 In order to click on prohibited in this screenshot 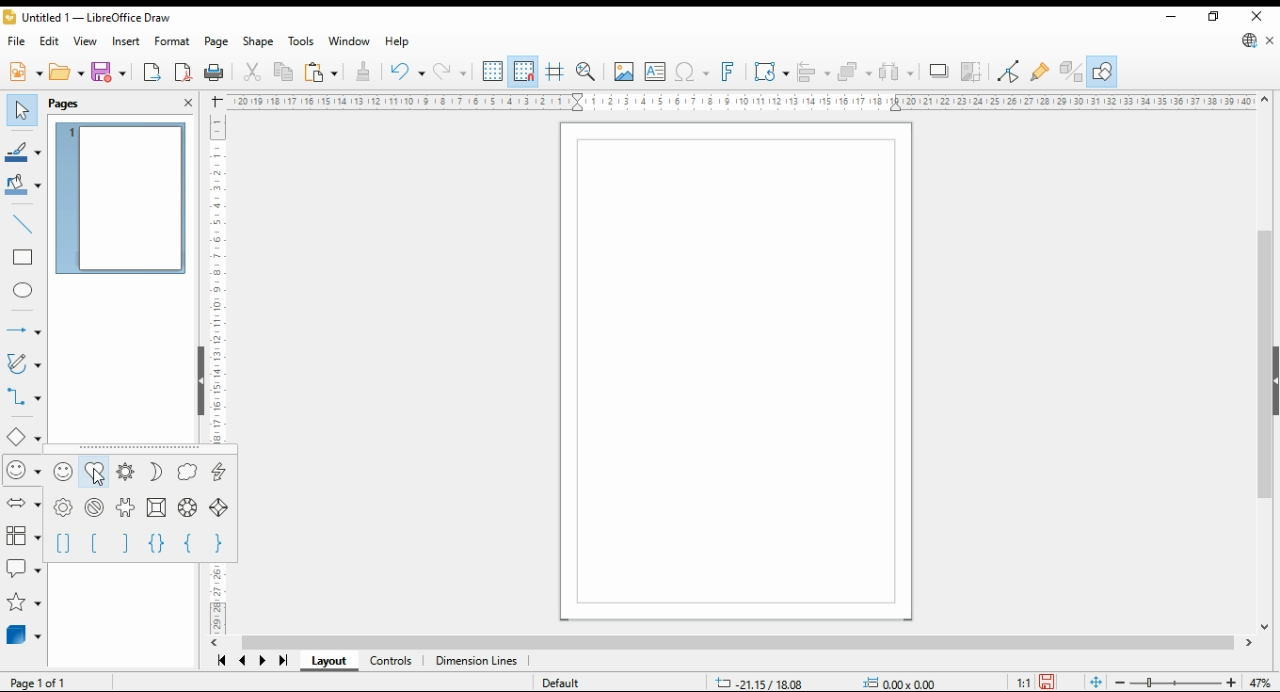, I will do `click(96, 508)`.